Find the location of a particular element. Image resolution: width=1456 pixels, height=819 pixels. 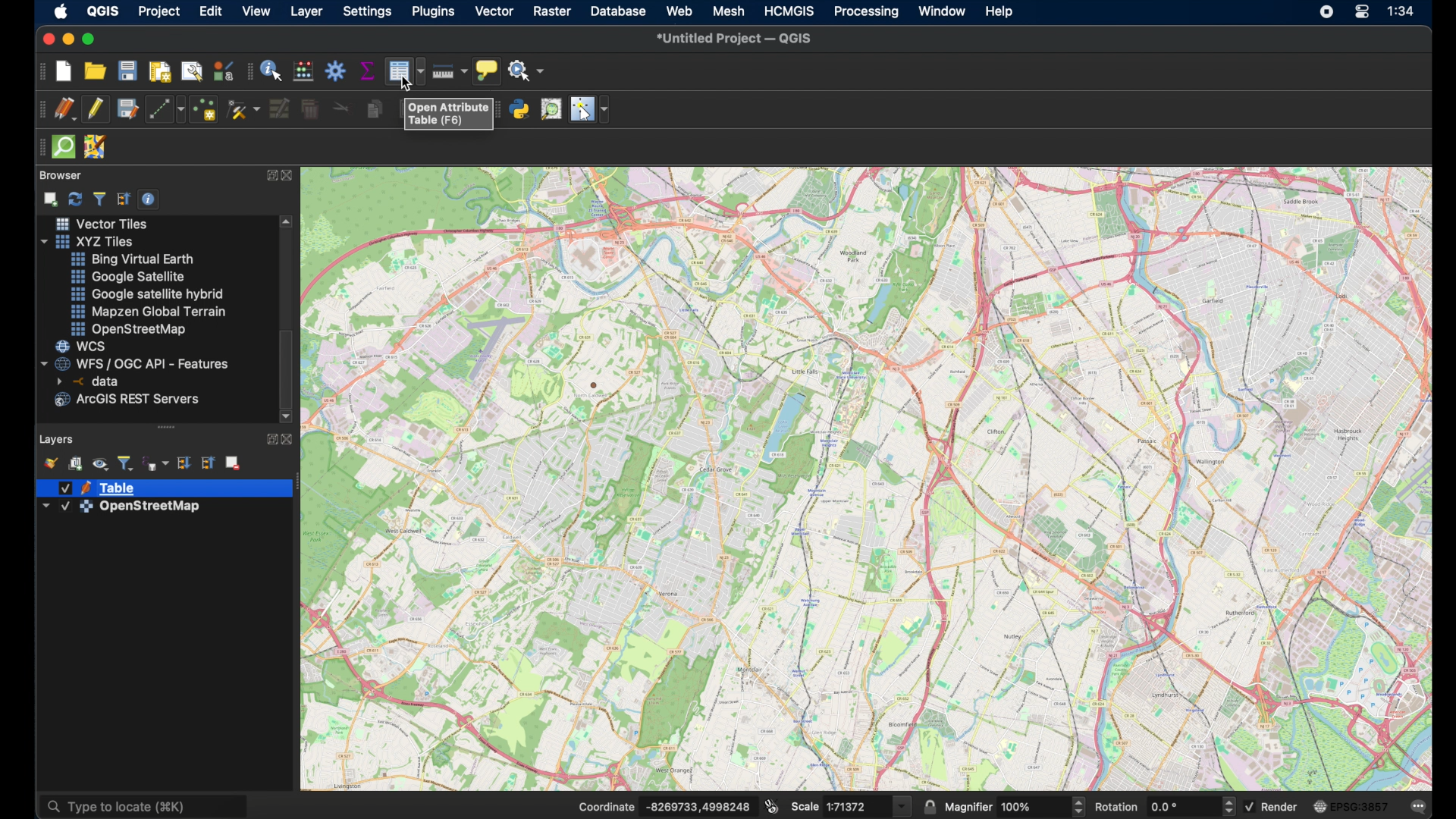

center is located at coordinates (1366, 11).